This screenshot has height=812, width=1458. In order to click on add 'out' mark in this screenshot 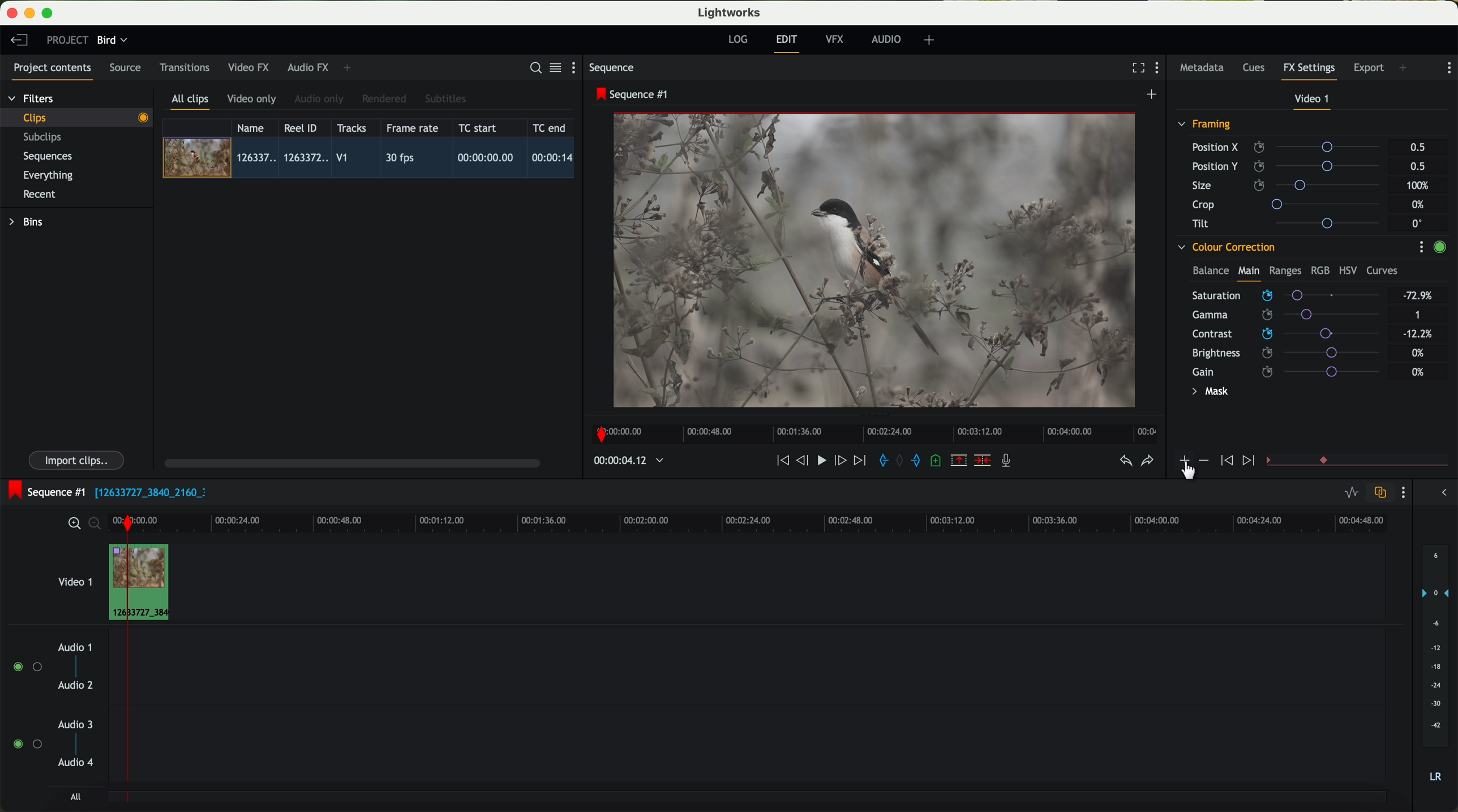, I will do `click(921, 459)`.